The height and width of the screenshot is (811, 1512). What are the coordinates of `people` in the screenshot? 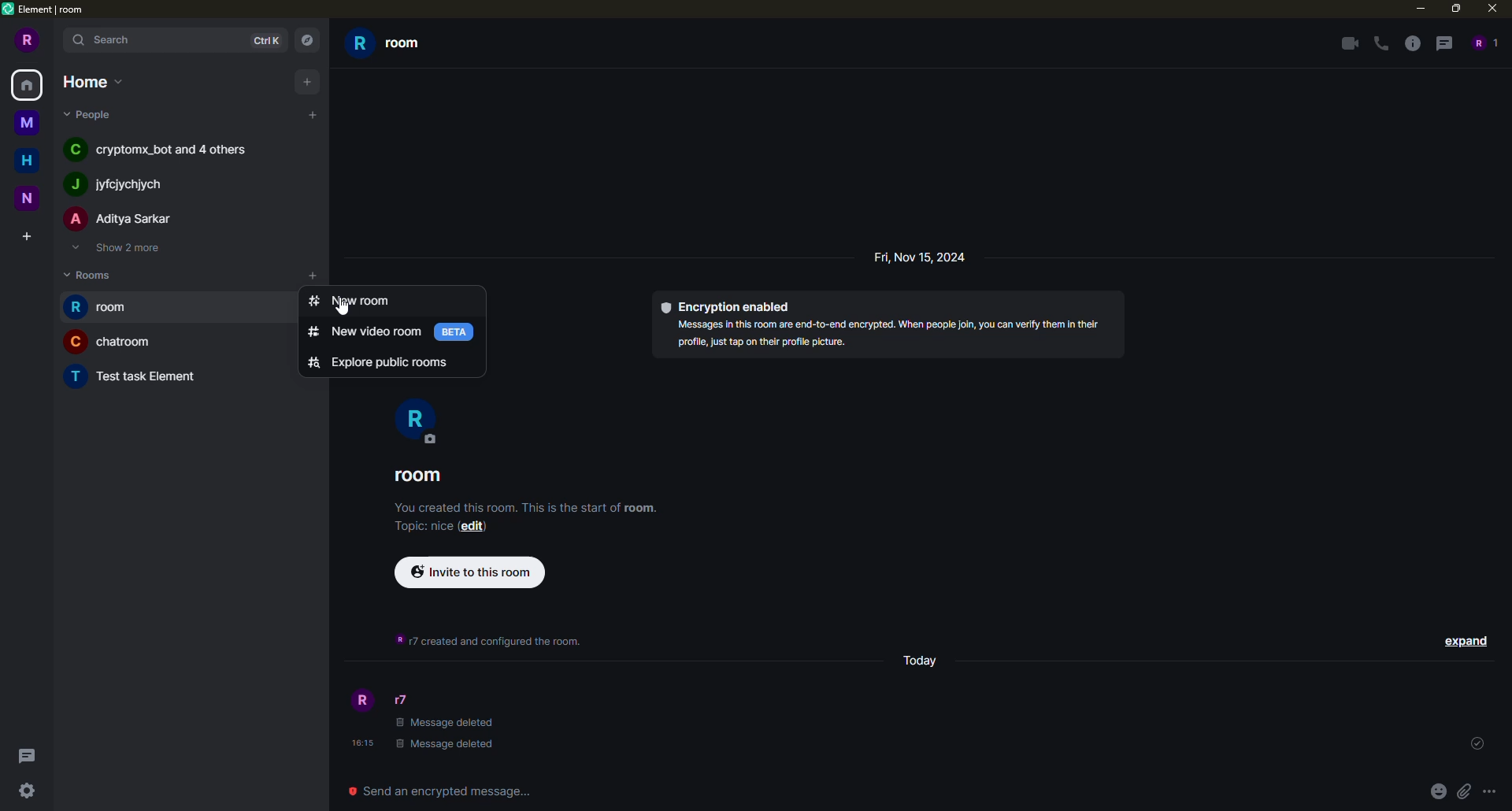 It's located at (405, 700).